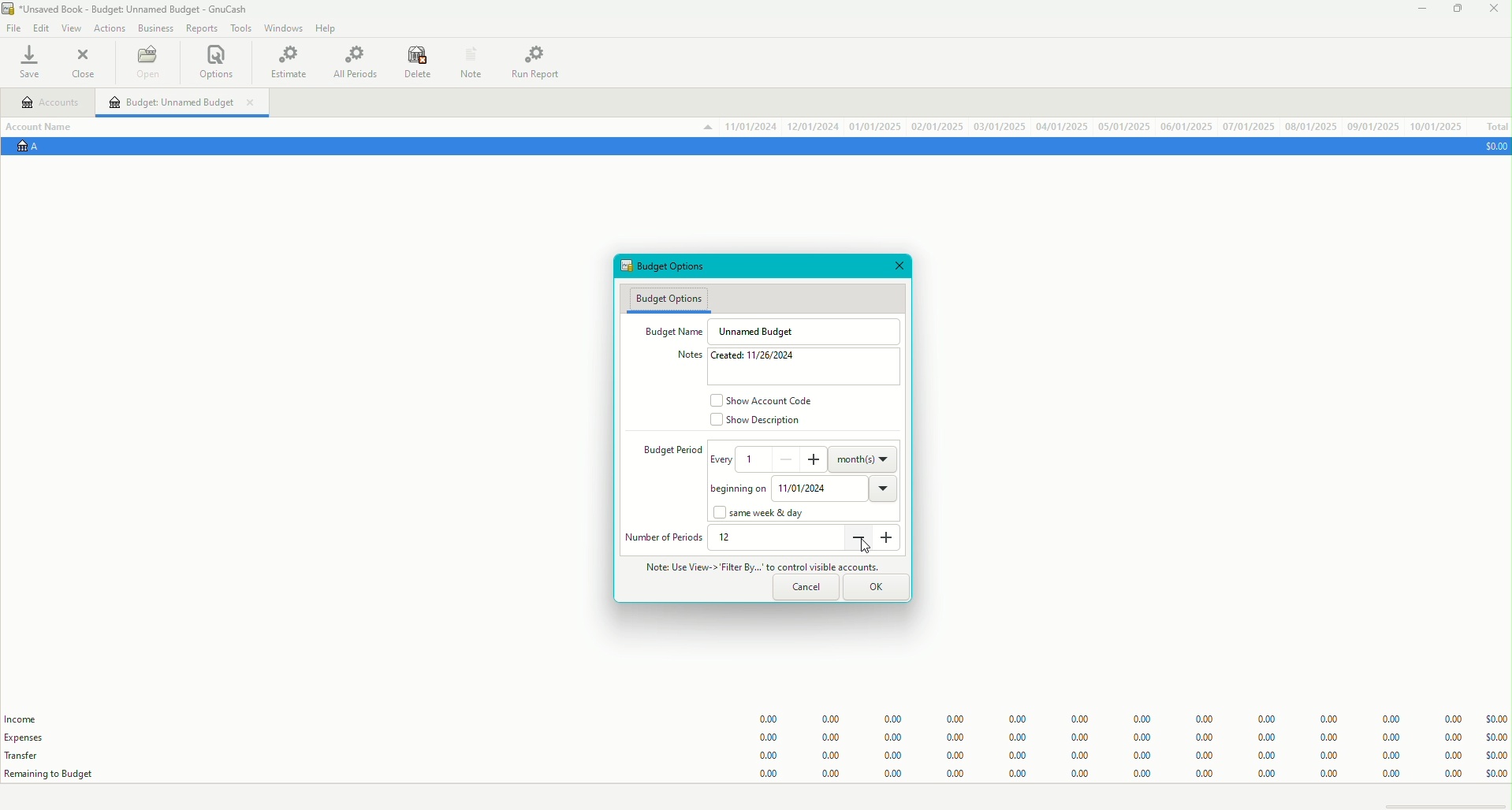  Describe the element at coordinates (24, 719) in the screenshot. I see `Income` at that location.